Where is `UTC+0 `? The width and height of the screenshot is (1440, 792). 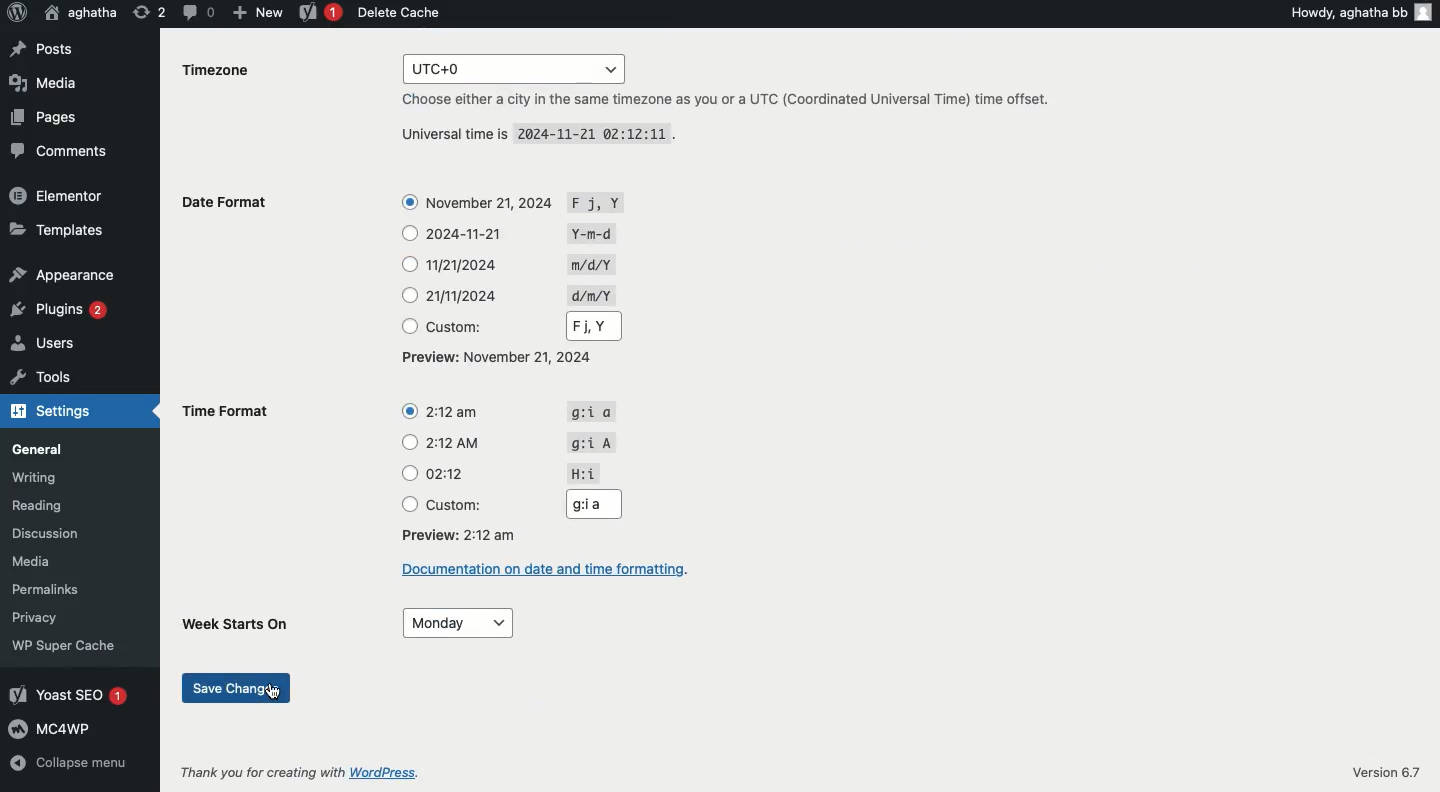 UTC+0  is located at coordinates (516, 69).